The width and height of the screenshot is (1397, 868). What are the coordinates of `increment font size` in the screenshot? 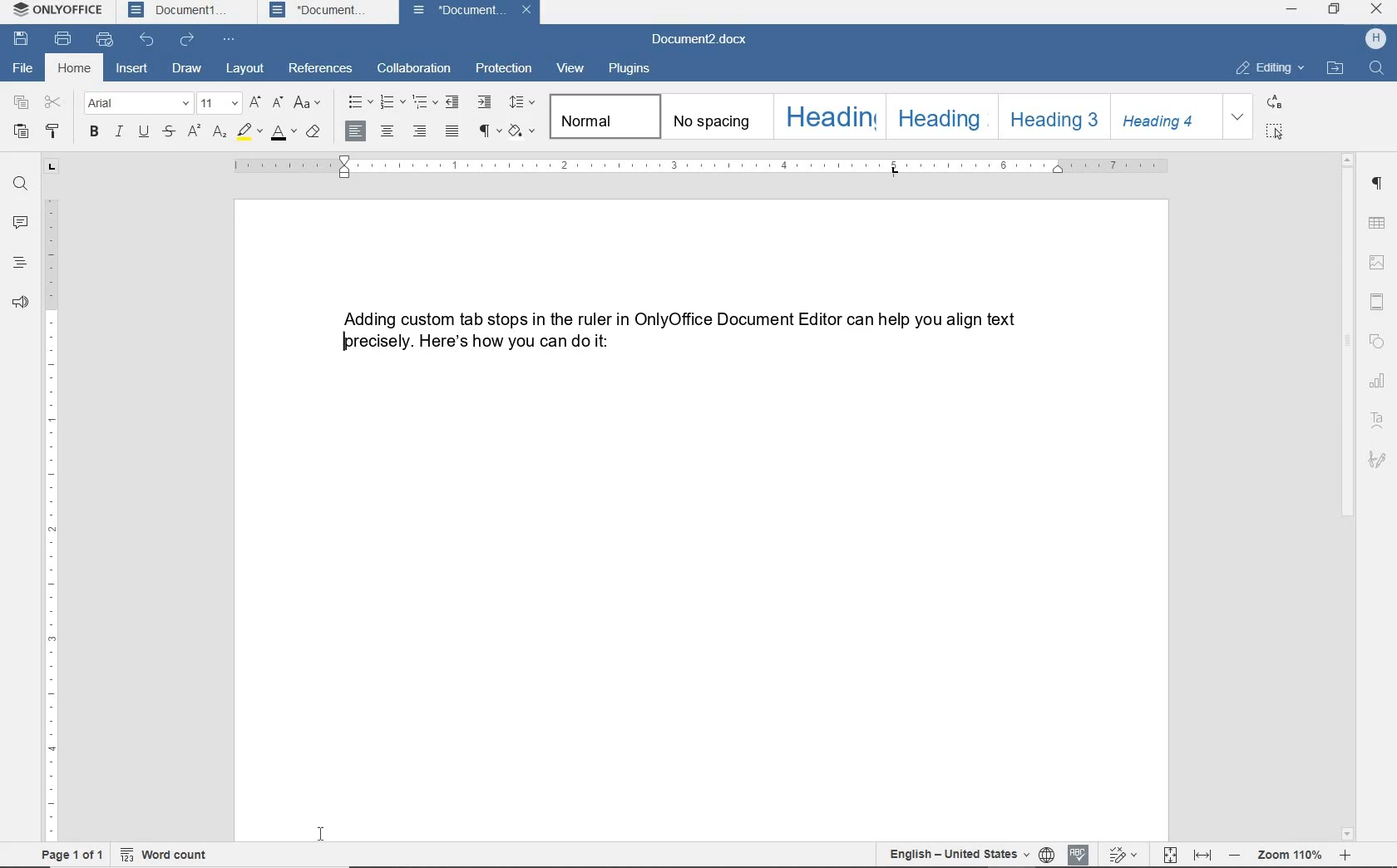 It's located at (254, 104).